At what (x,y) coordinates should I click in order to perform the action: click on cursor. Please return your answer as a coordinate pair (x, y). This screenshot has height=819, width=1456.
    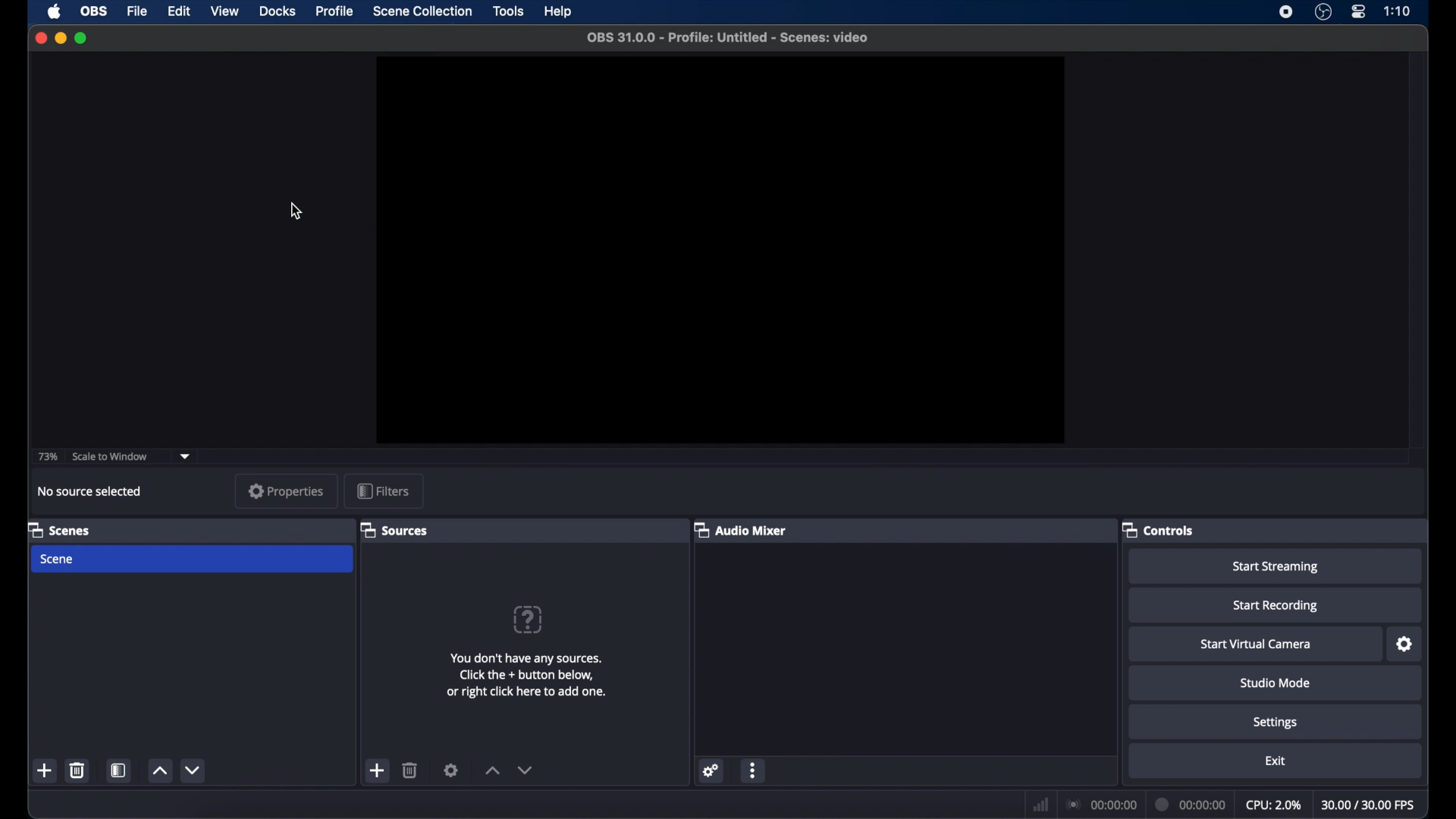
    Looking at the image, I should click on (297, 212).